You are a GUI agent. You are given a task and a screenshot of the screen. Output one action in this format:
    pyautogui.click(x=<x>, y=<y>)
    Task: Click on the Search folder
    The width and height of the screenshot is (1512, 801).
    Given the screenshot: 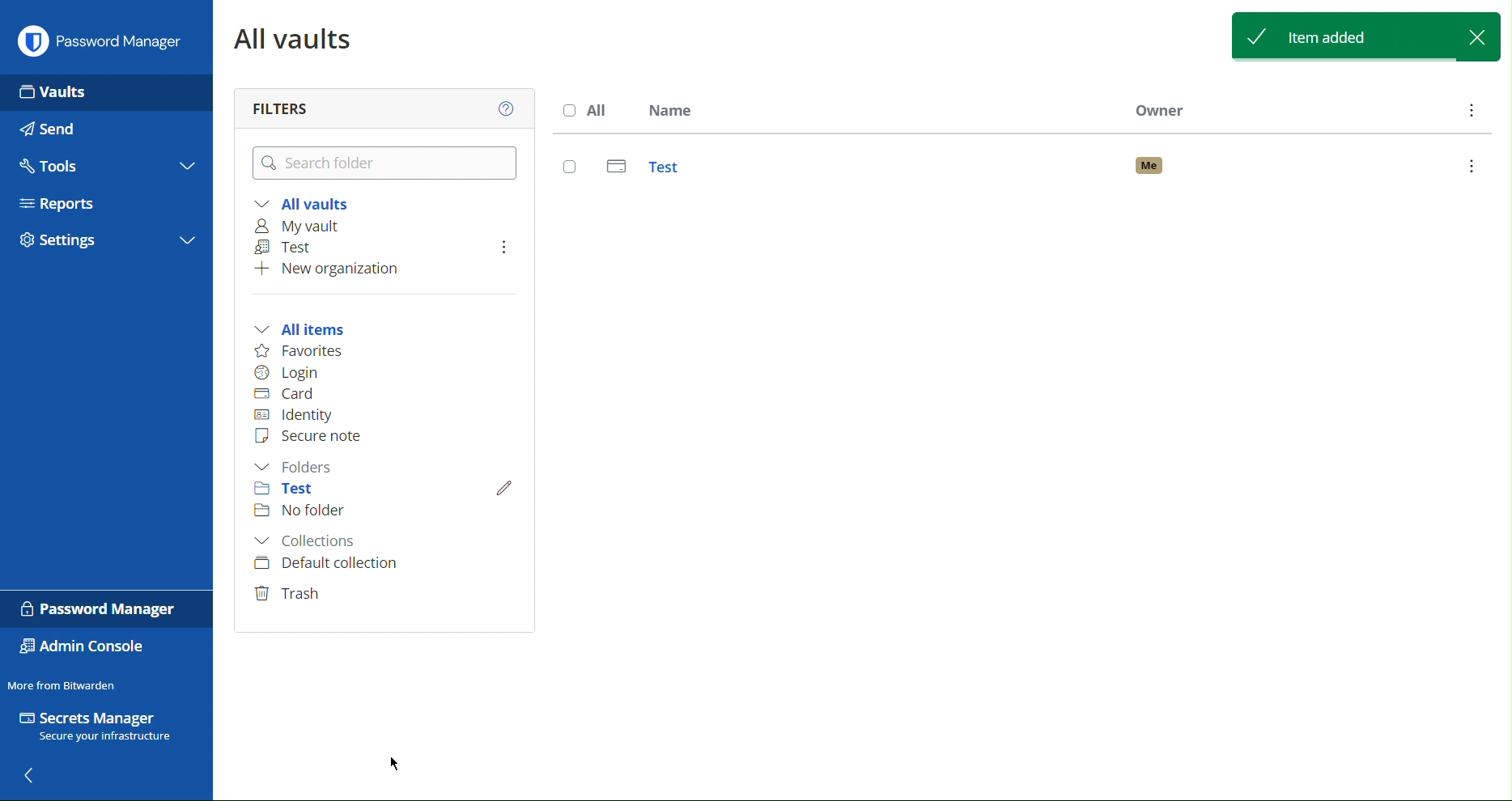 What is the action you would take?
    pyautogui.click(x=384, y=162)
    